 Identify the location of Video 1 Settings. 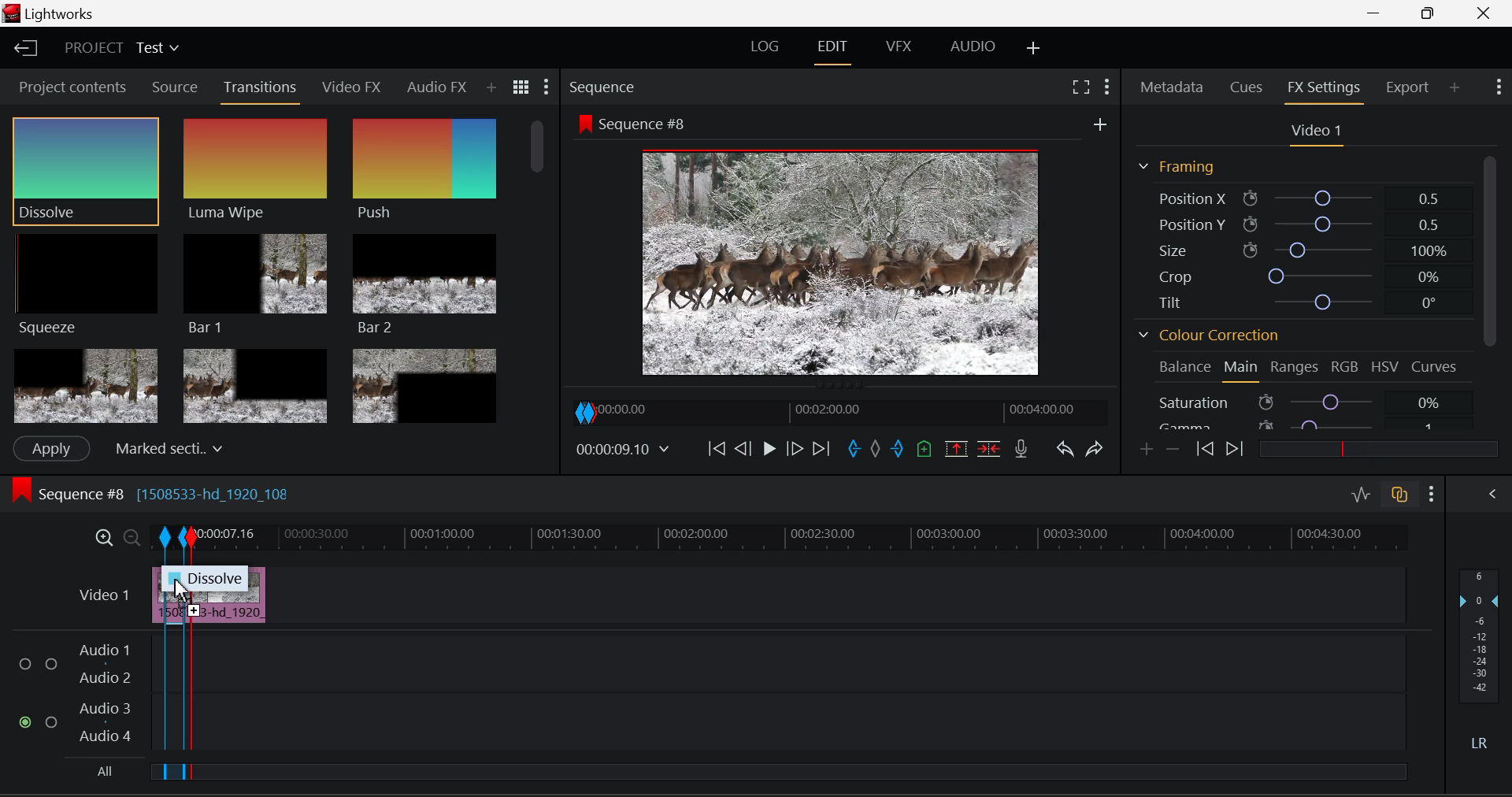
(1314, 132).